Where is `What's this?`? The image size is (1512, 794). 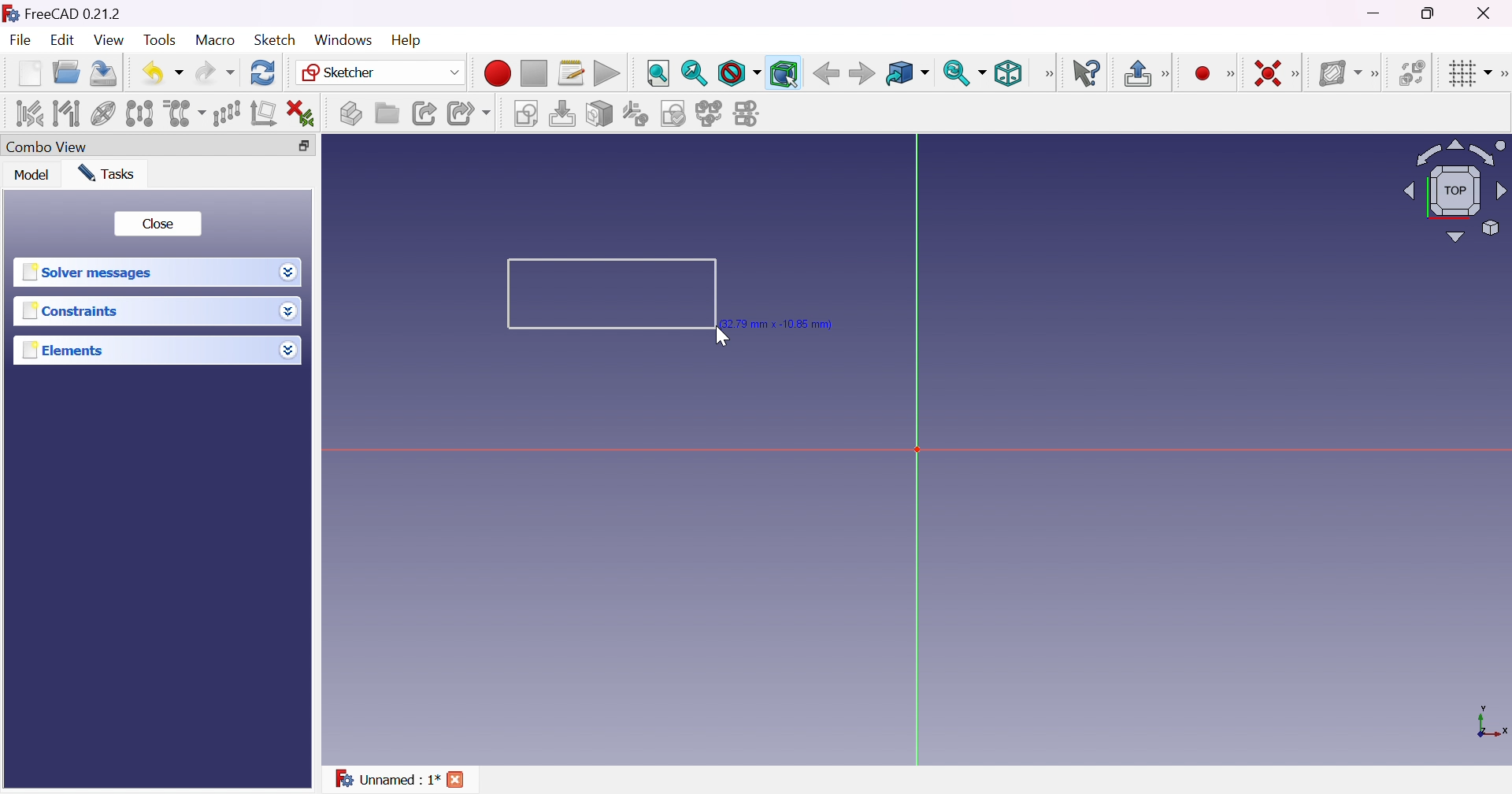
What's this? is located at coordinates (1084, 74).